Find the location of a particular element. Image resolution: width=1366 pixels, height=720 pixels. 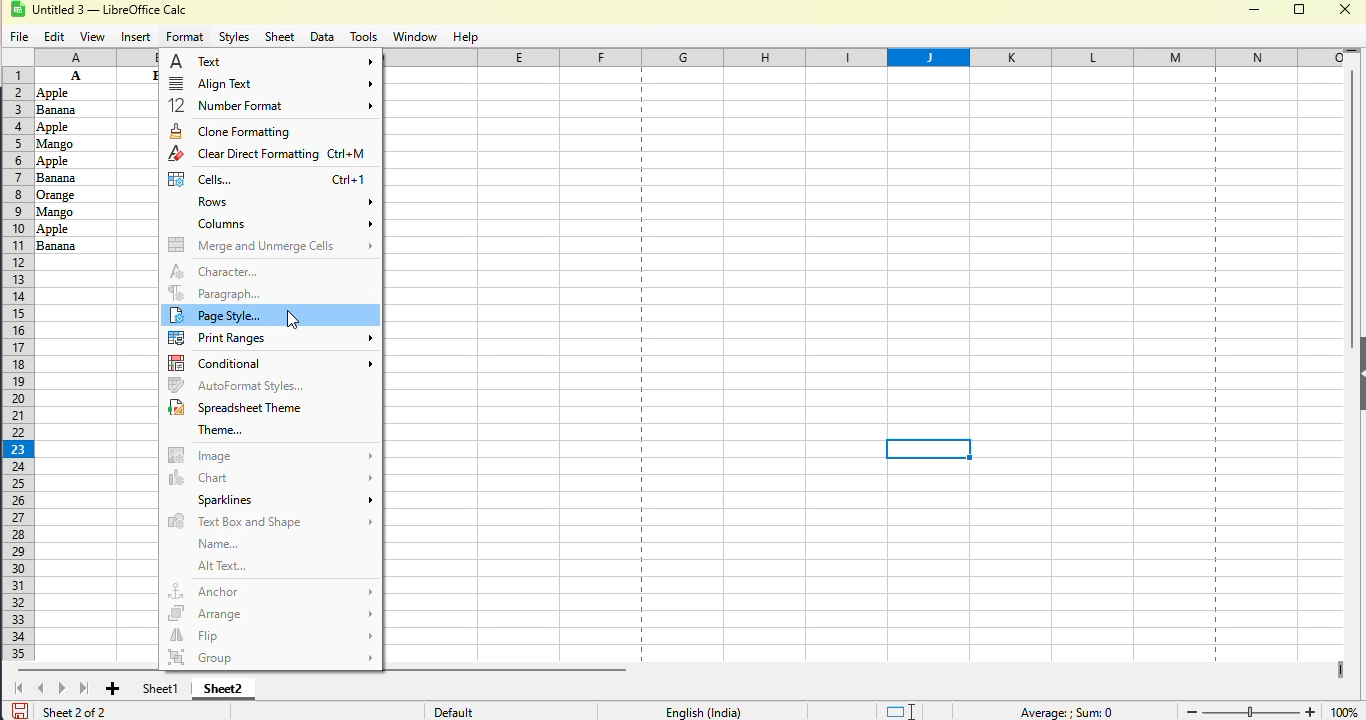

window is located at coordinates (414, 37).